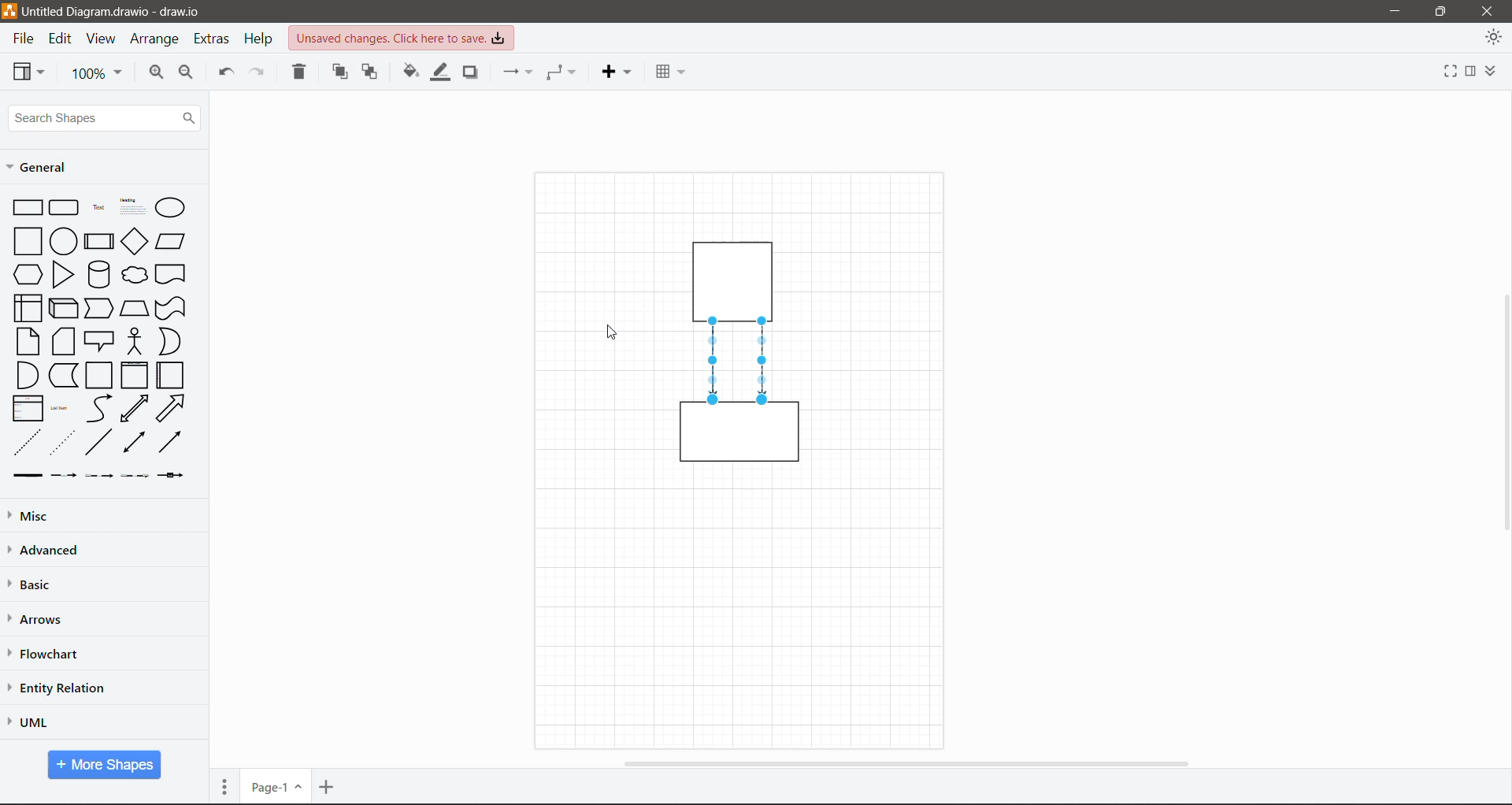 Image resolution: width=1512 pixels, height=805 pixels. Describe the element at coordinates (169, 341) in the screenshot. I see `Or` at that location.